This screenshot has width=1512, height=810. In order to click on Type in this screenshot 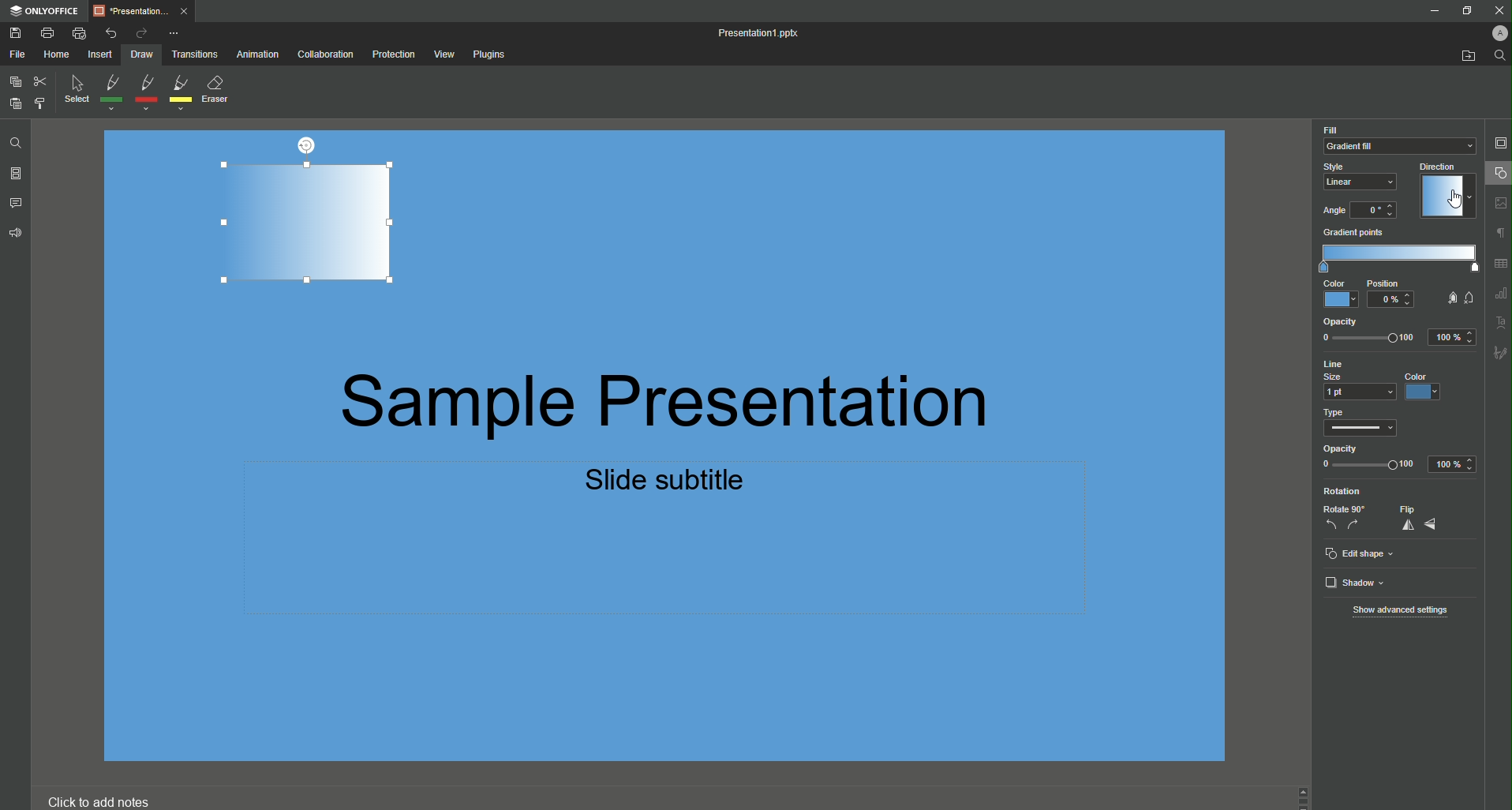, I will do `click(1367, 421)`.